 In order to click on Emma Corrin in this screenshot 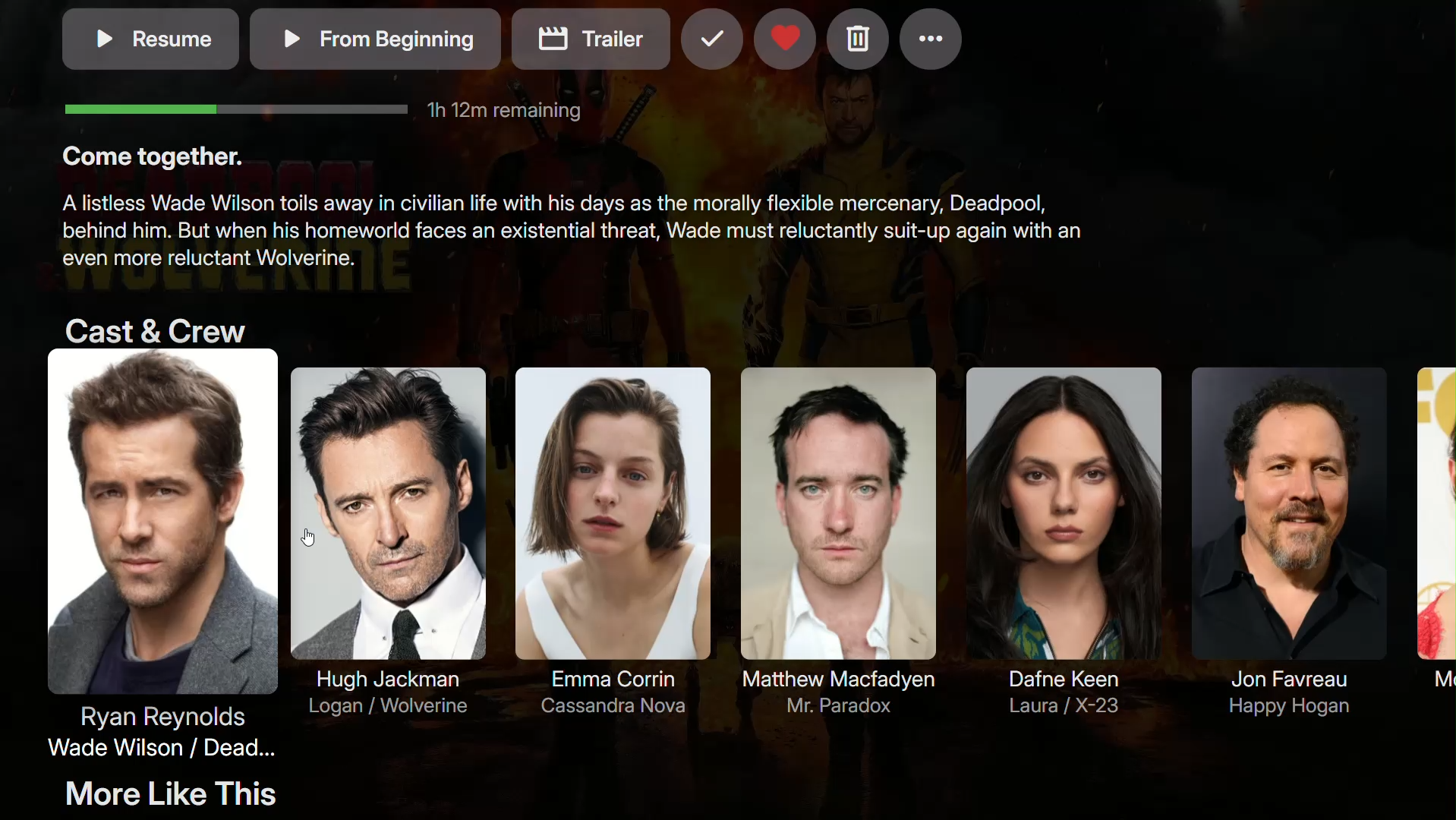, I will do `click(603, 538)`.